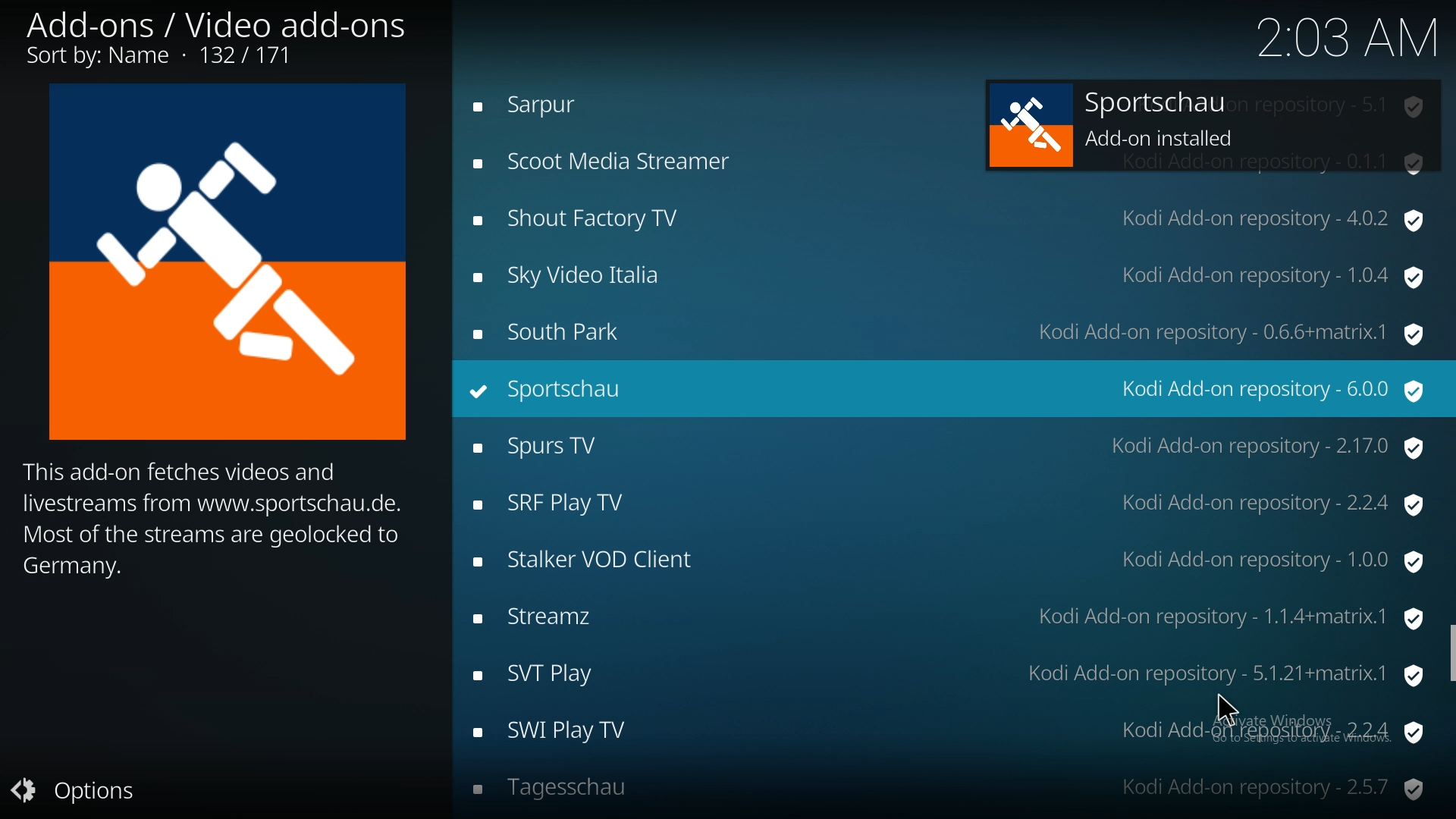 This screenshot has height=819, width=1456. I want to click on tagesschau, so click(955, 783).